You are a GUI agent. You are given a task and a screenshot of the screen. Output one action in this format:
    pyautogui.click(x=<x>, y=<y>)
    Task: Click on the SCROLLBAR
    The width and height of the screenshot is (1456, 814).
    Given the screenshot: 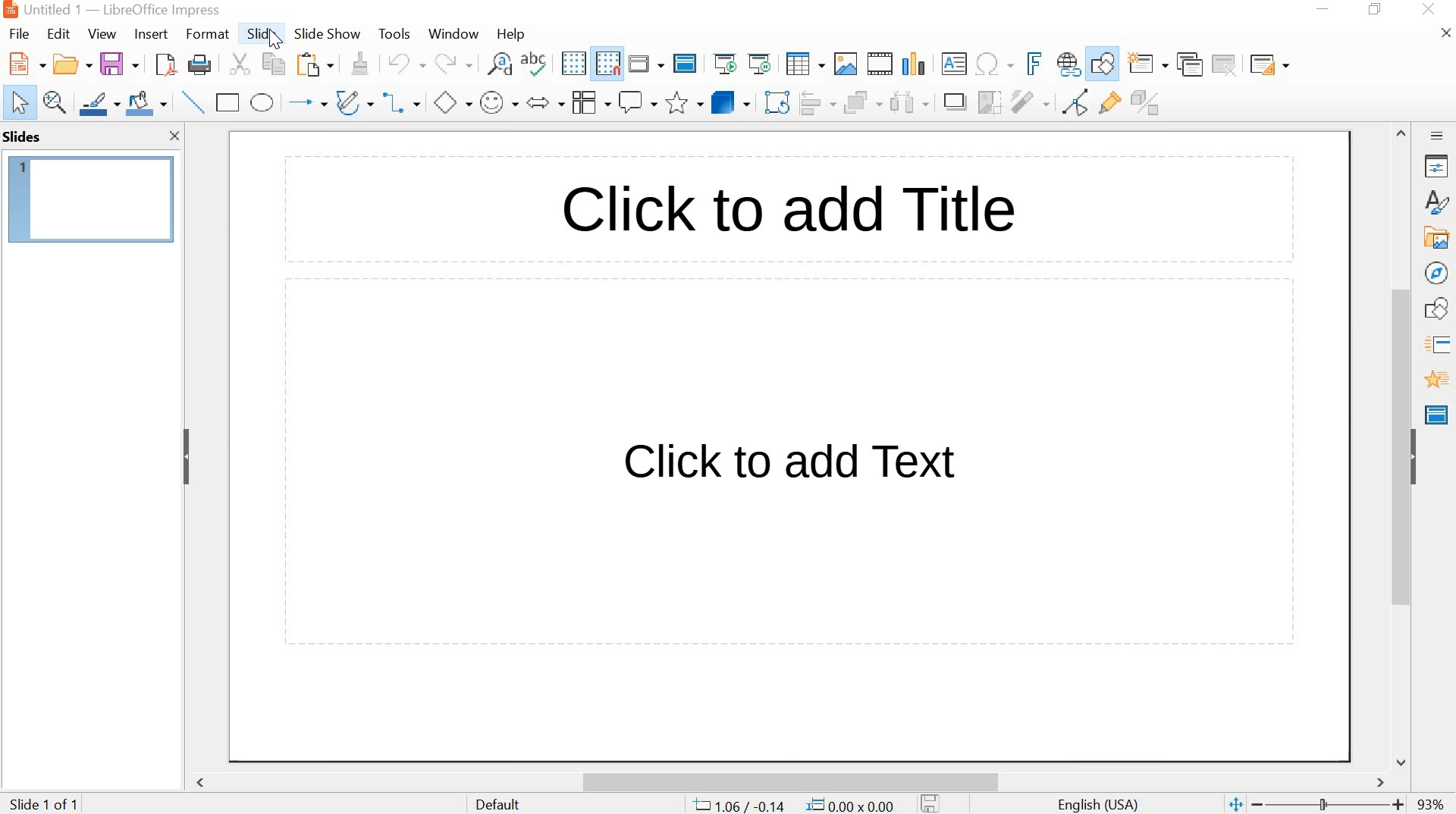 What is the action you would take?
    pyautogui.click(x=795, y=778)
    